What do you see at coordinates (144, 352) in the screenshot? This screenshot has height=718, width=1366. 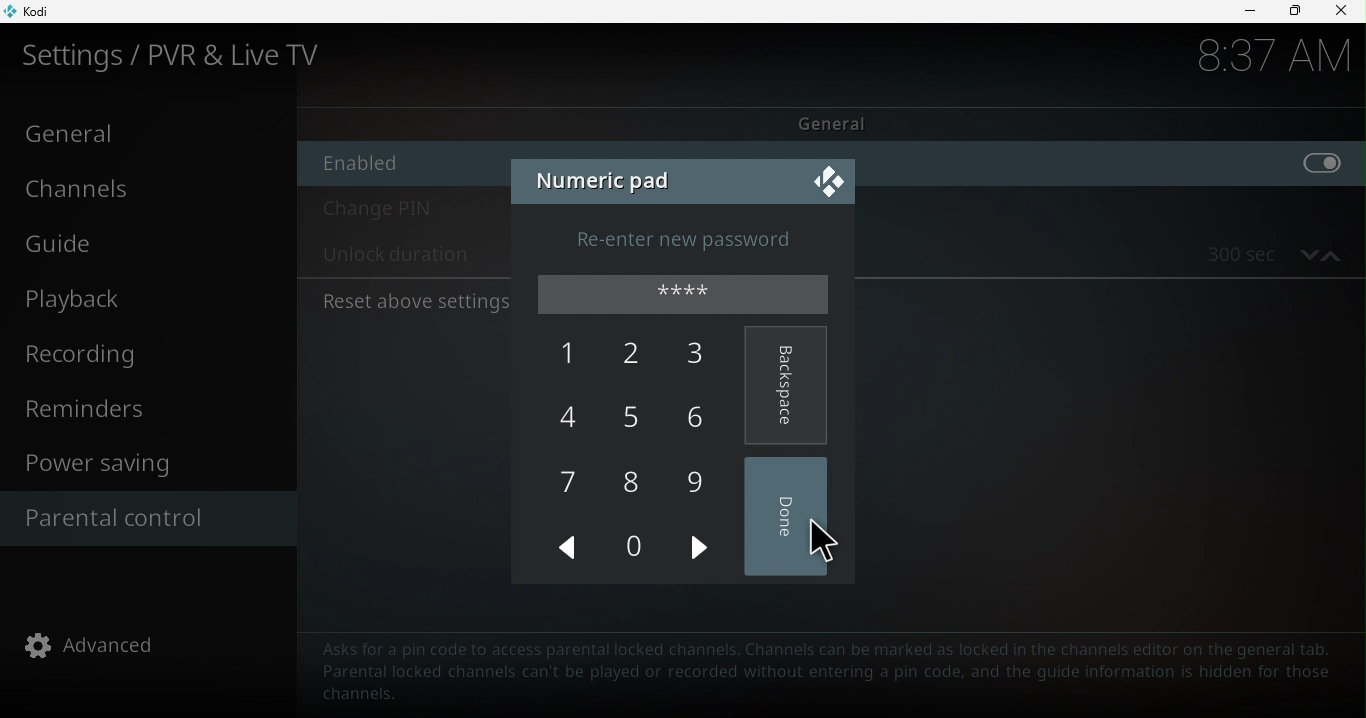 I see `Recording` at bounding box center [144, 352].